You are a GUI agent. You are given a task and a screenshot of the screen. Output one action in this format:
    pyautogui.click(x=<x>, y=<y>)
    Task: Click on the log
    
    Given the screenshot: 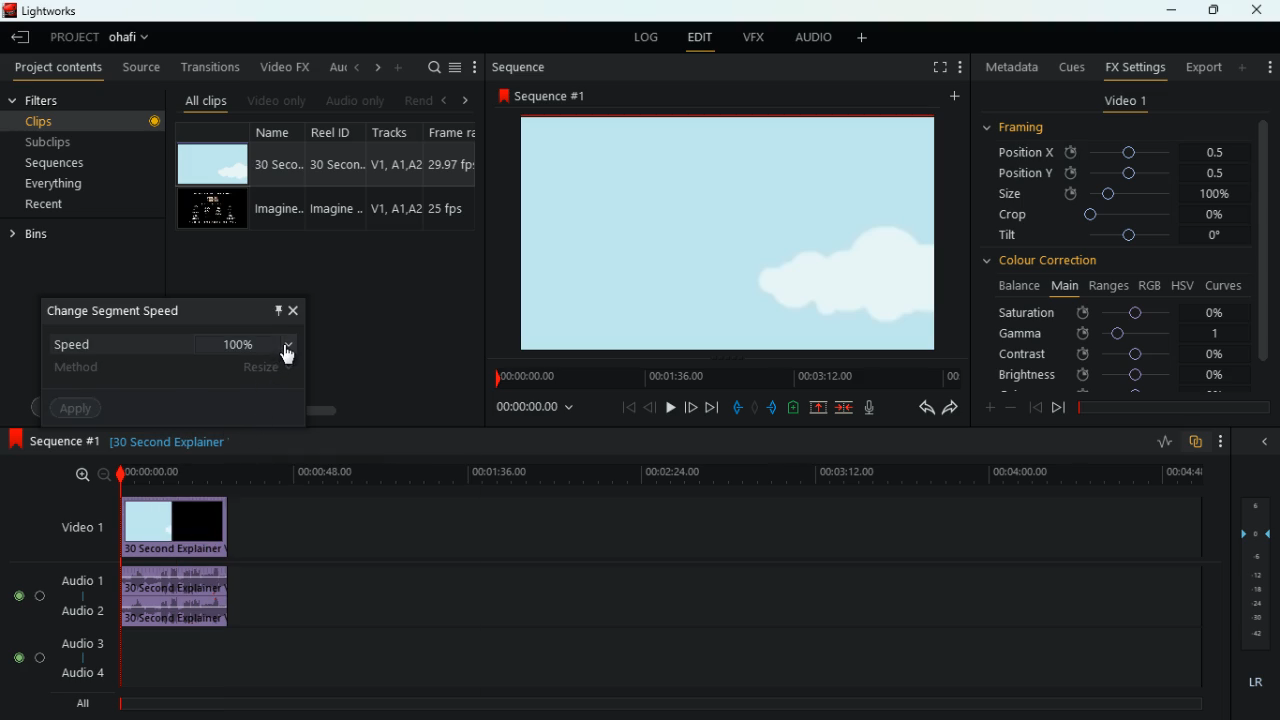 What is the action you would take?
    pyautogui.click(x=643, y=35)
    